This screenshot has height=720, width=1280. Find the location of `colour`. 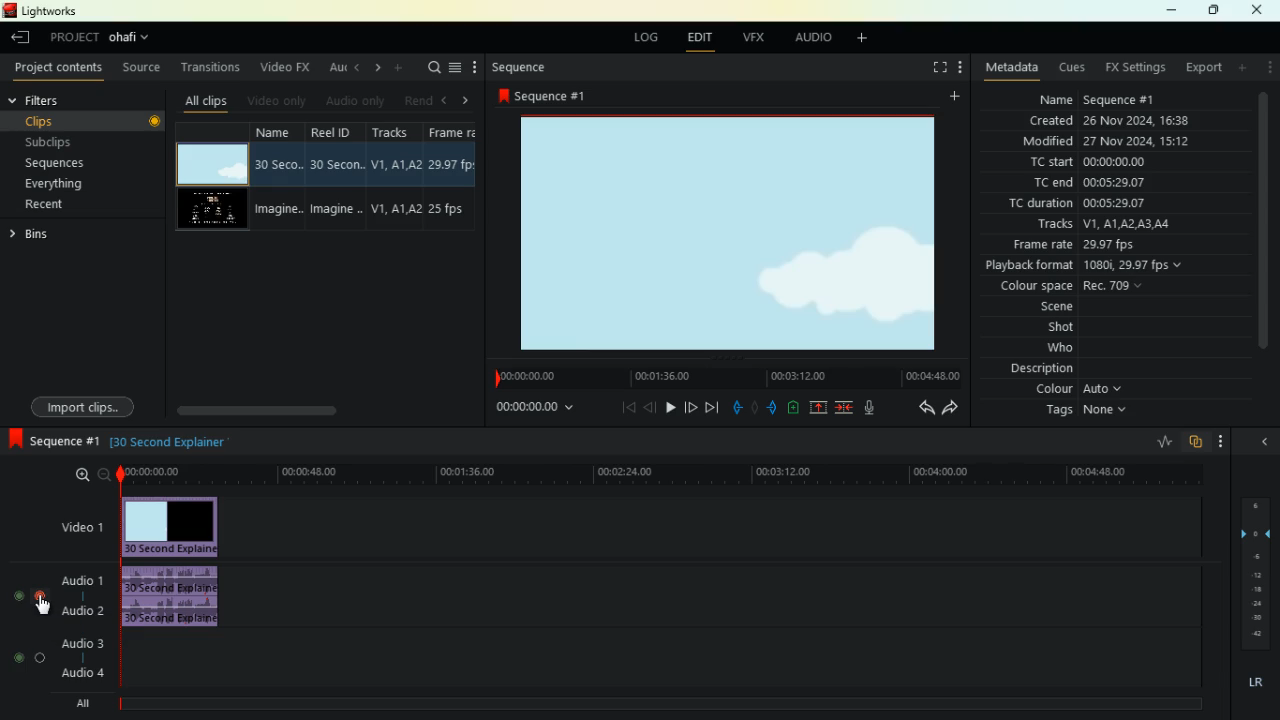

colour is located at coordinates (1075, 389).